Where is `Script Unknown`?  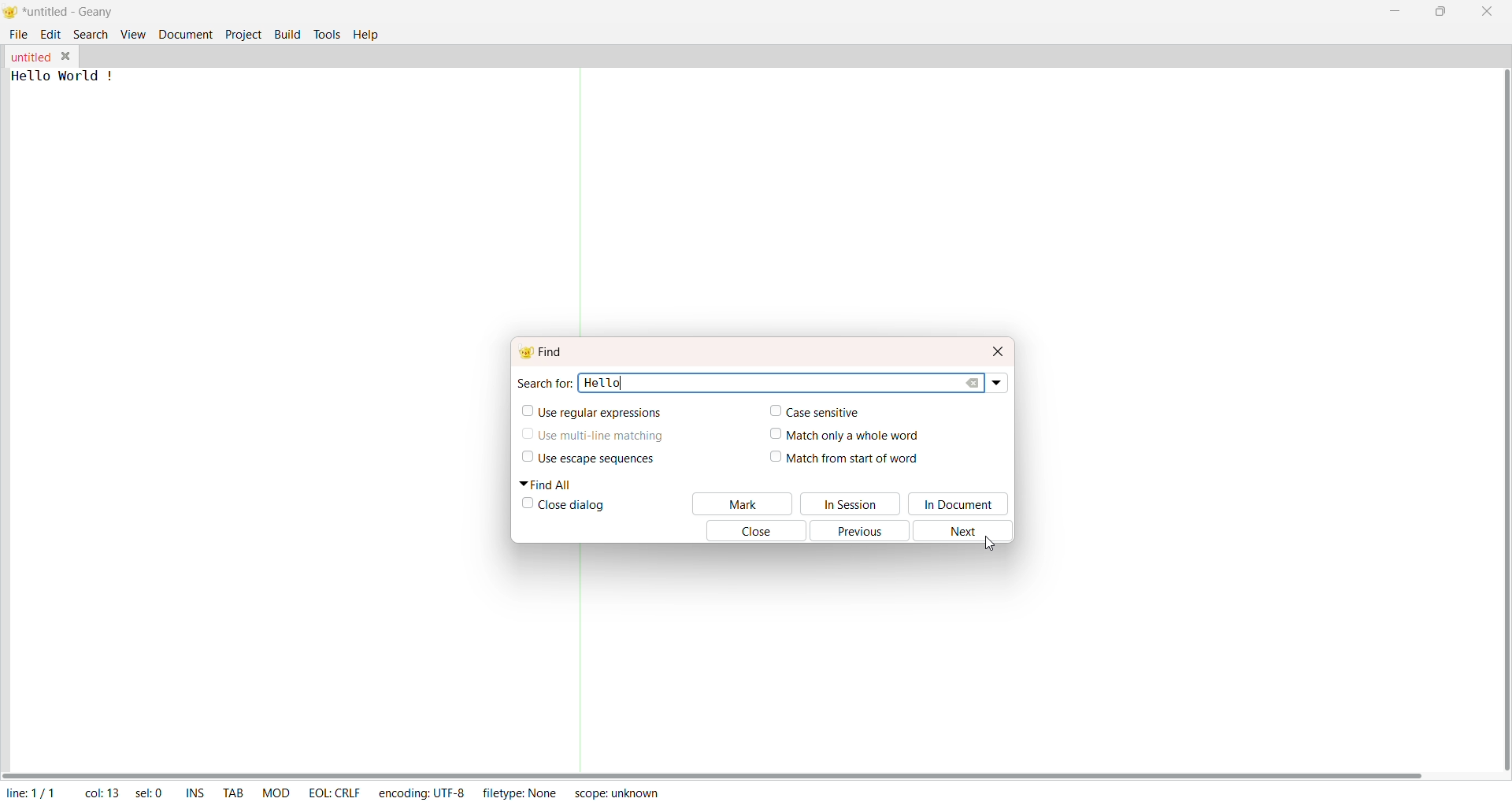 Script Unknown is located at coordinates (617, 795).